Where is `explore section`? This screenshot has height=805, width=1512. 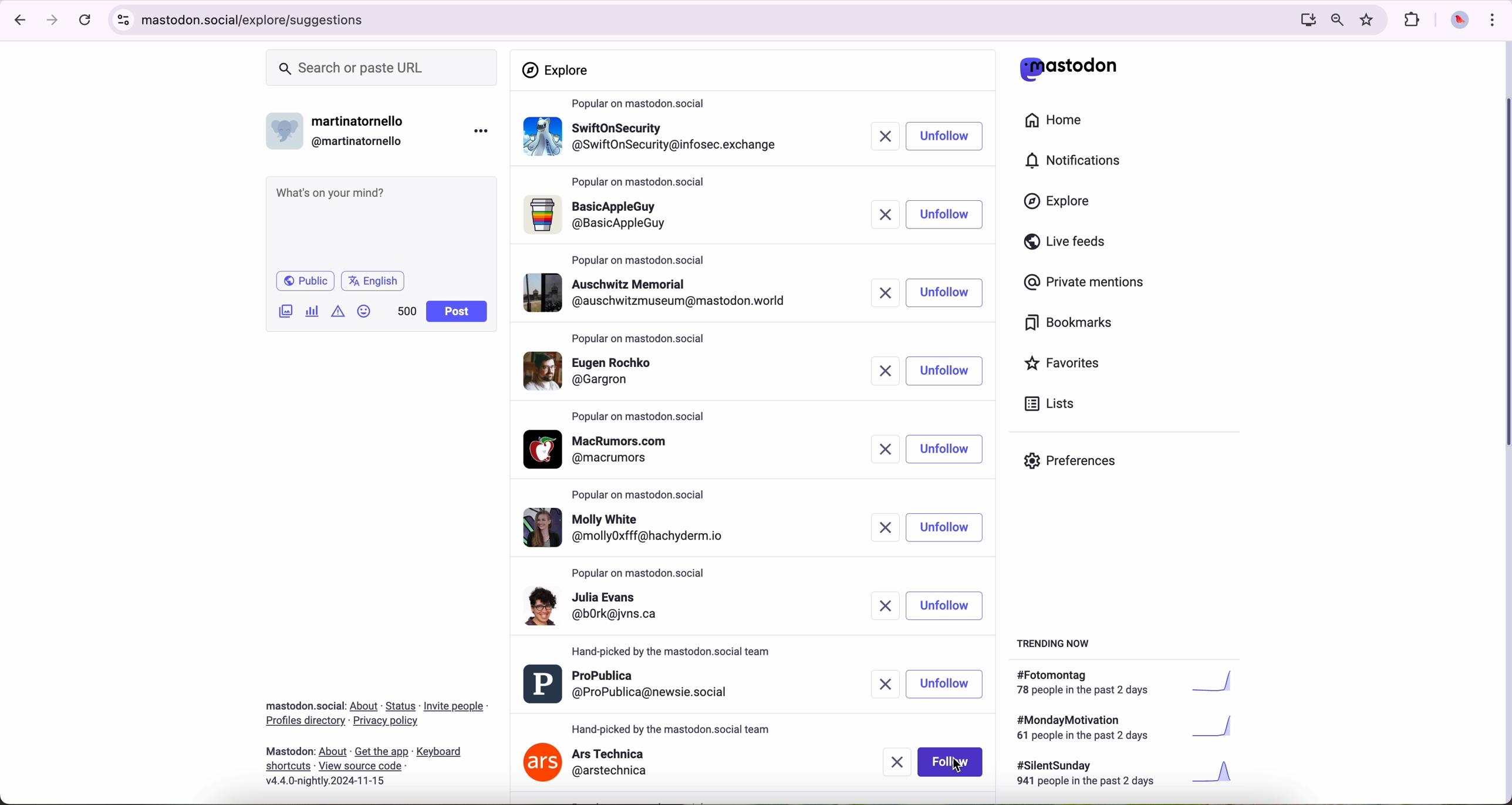
explore section is located at coordinates (558, 70).